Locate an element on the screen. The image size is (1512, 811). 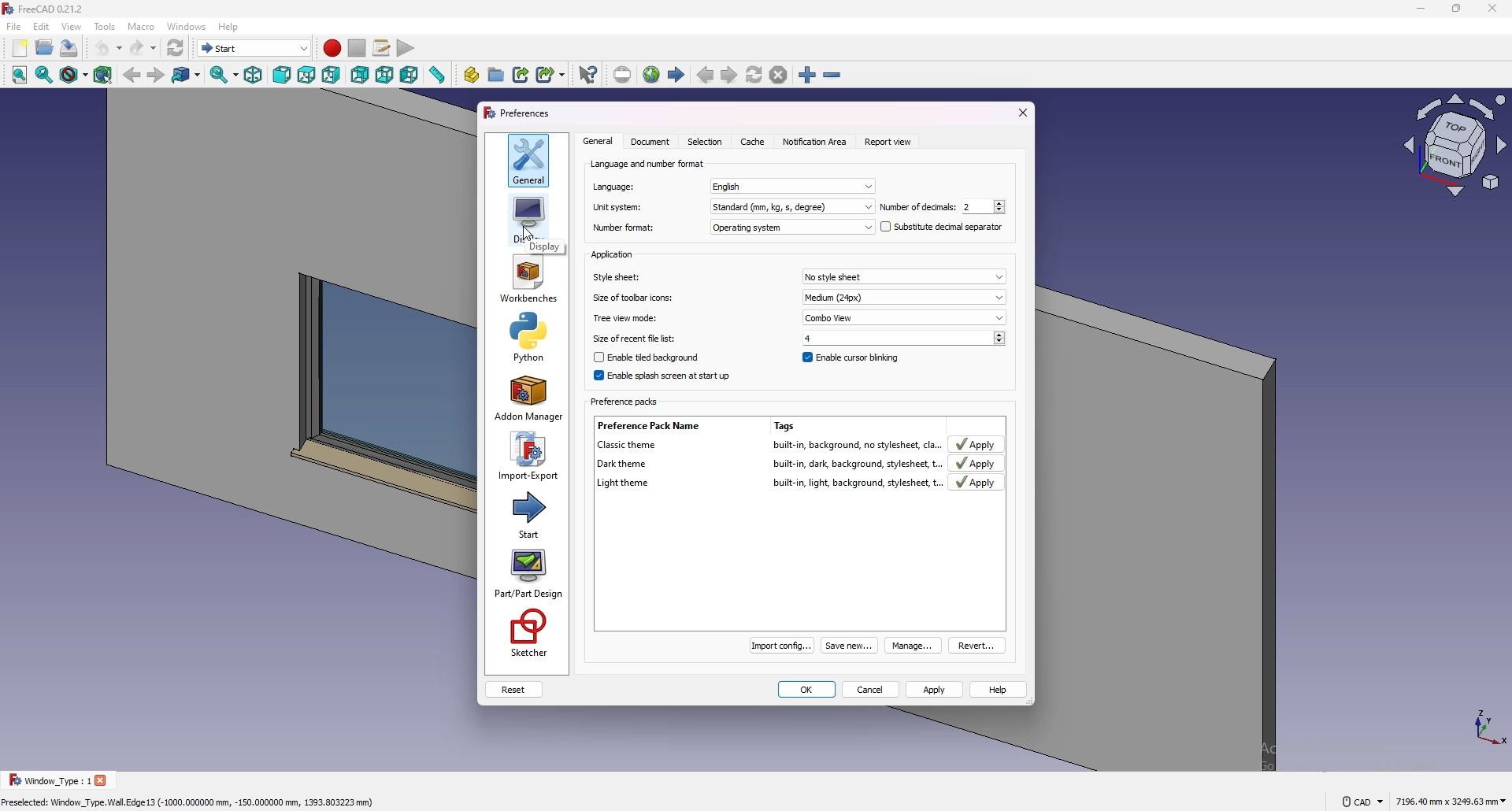
addon manager is located at coordinates (528, 398).